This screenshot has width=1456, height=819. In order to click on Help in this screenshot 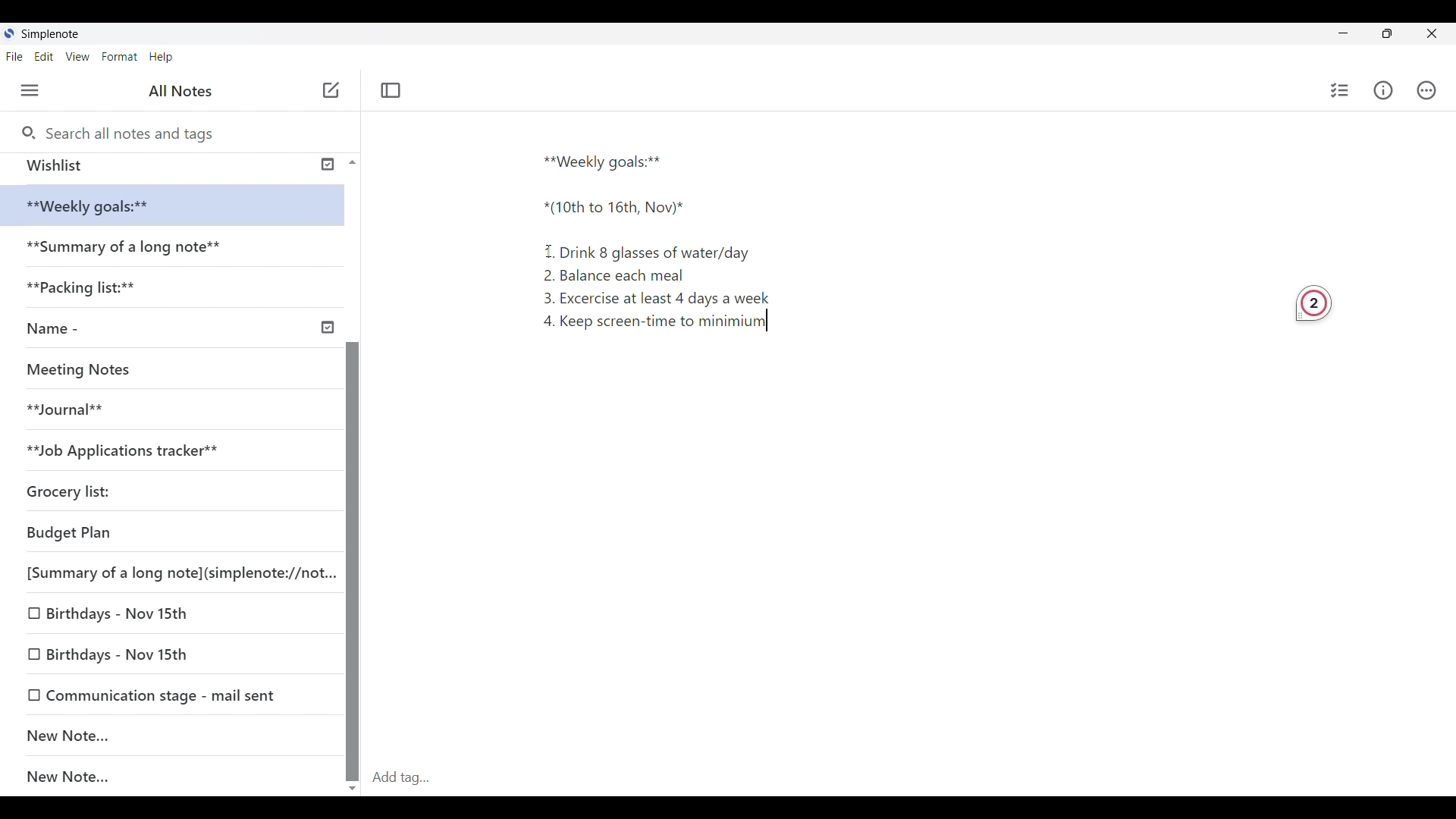, I will do `click(162, 58)`.